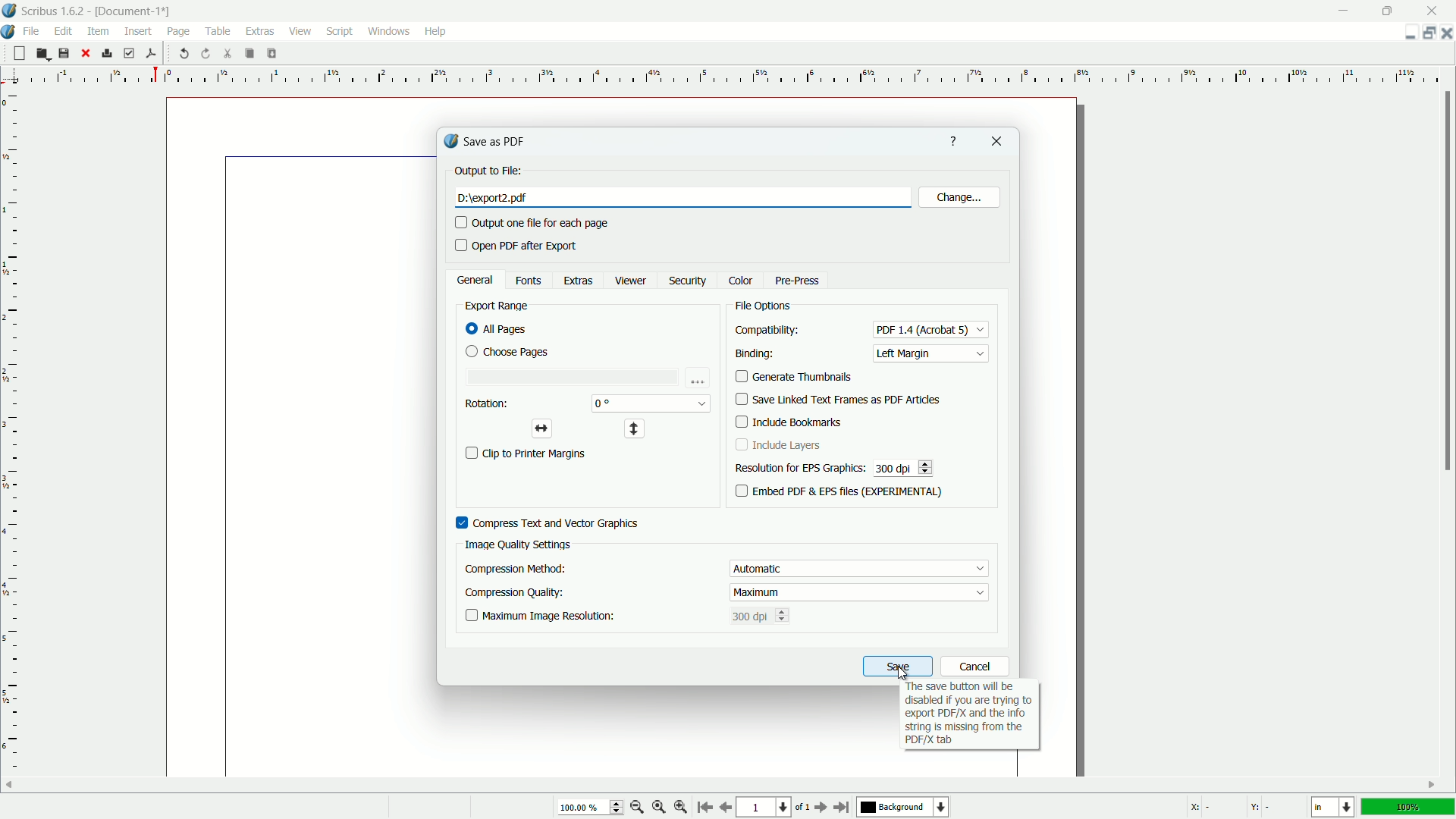 This screenshot has height=819, width=1456. What do you see at coordinates (108, 52) in the screenshot?
I see `print` at bounding box center [108, 52].